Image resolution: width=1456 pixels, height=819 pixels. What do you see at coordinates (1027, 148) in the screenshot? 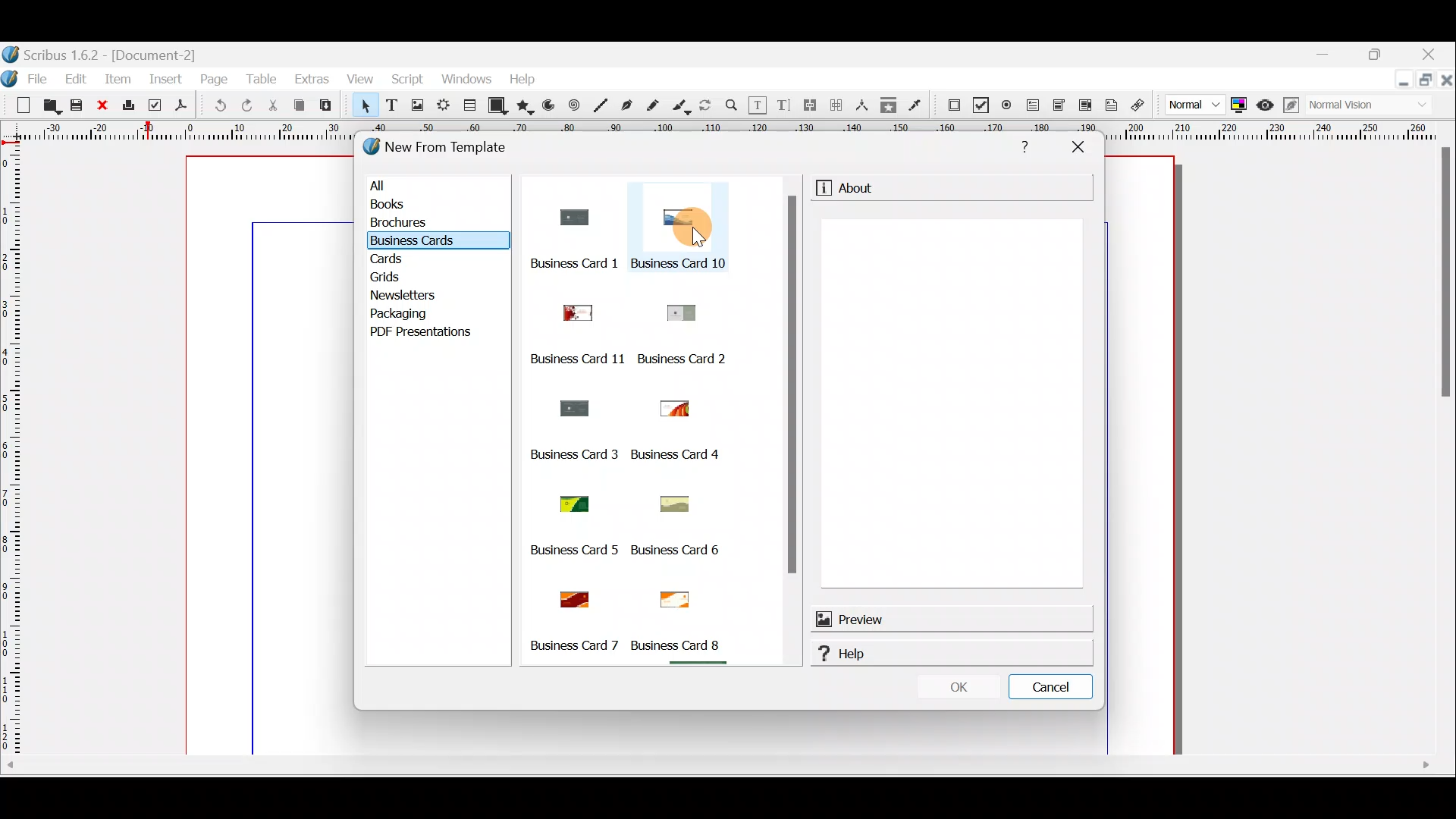
I see `Help` at bounding box center [1027, 148].